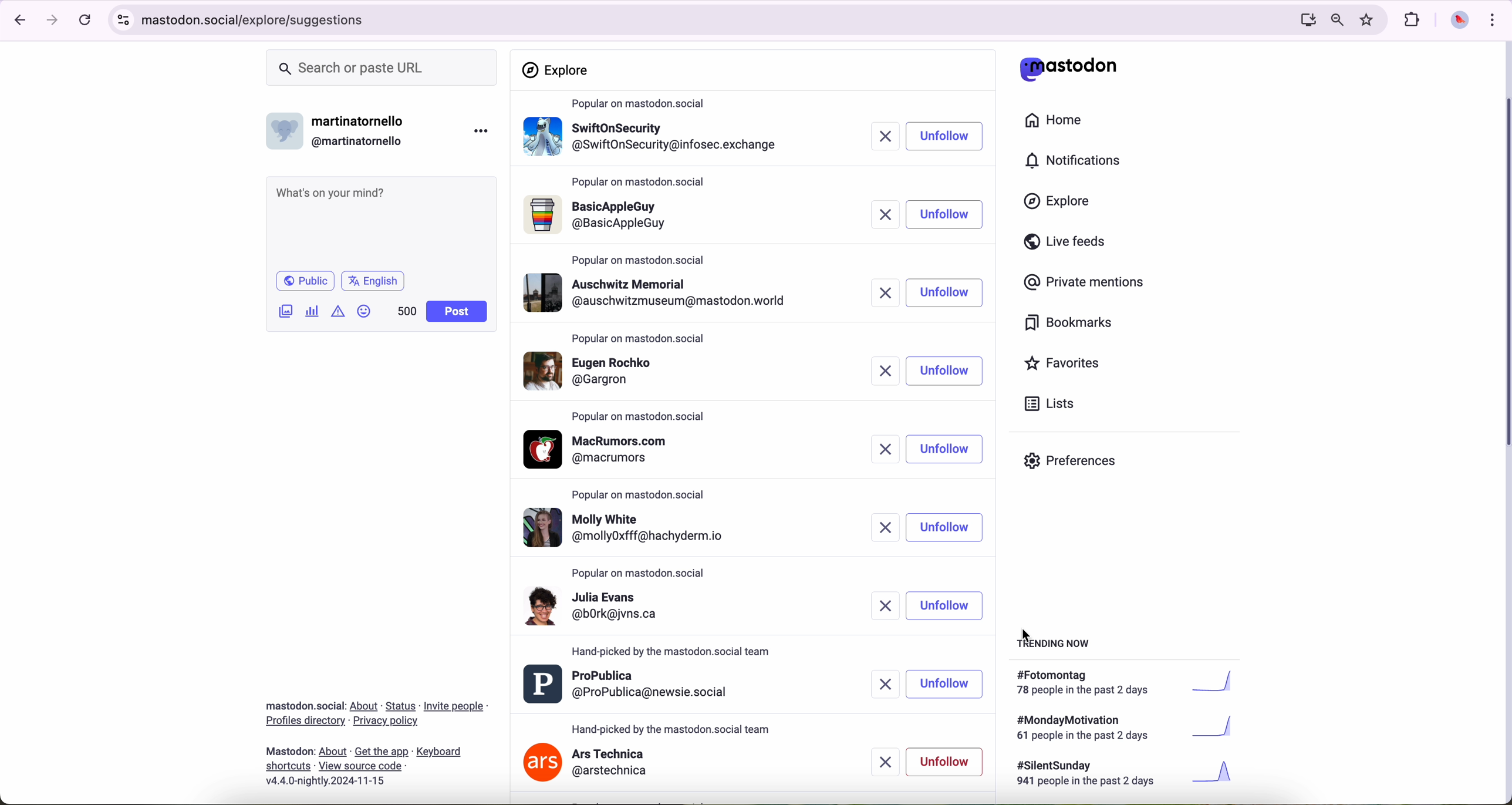  Describe the element at coordinates (885, 449) in the screenshot. I see `remove` at that location.